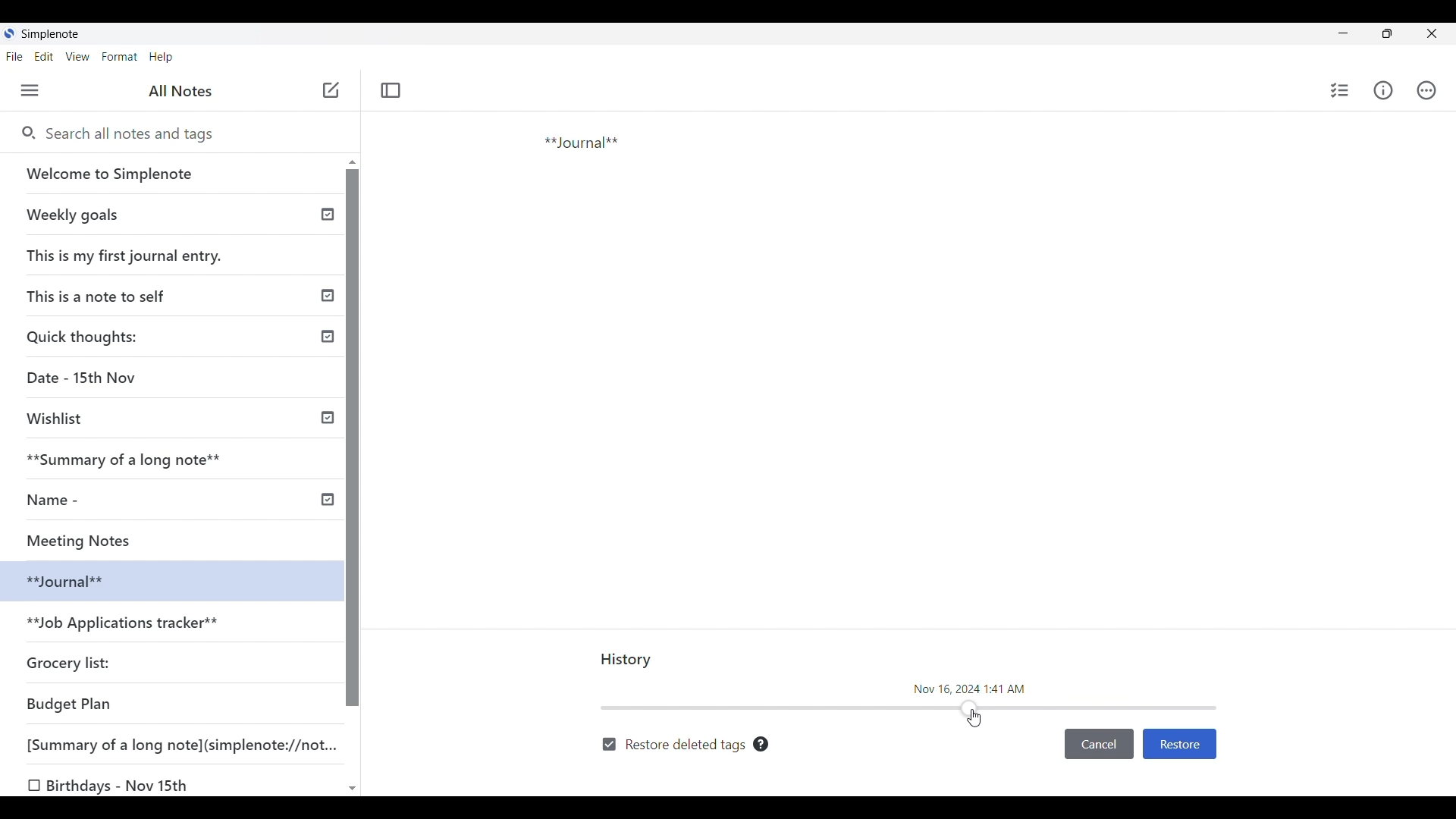 Image resolution: width=1456 pixels, height=819 pixels. I want to click on Show interface in a smaller tab, so click(1387, 33).